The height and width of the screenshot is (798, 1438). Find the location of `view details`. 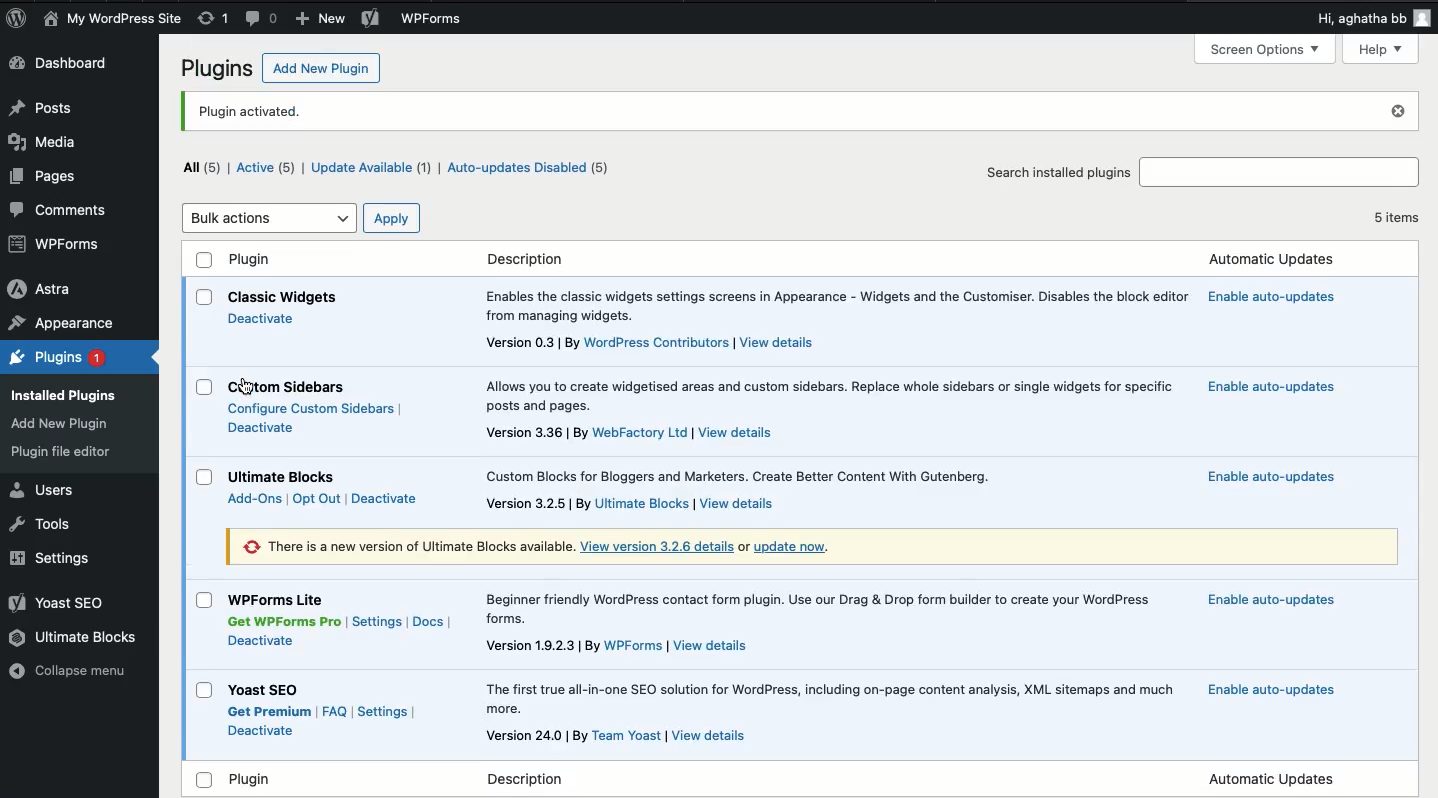

view details is located at coordinates (711, 736).